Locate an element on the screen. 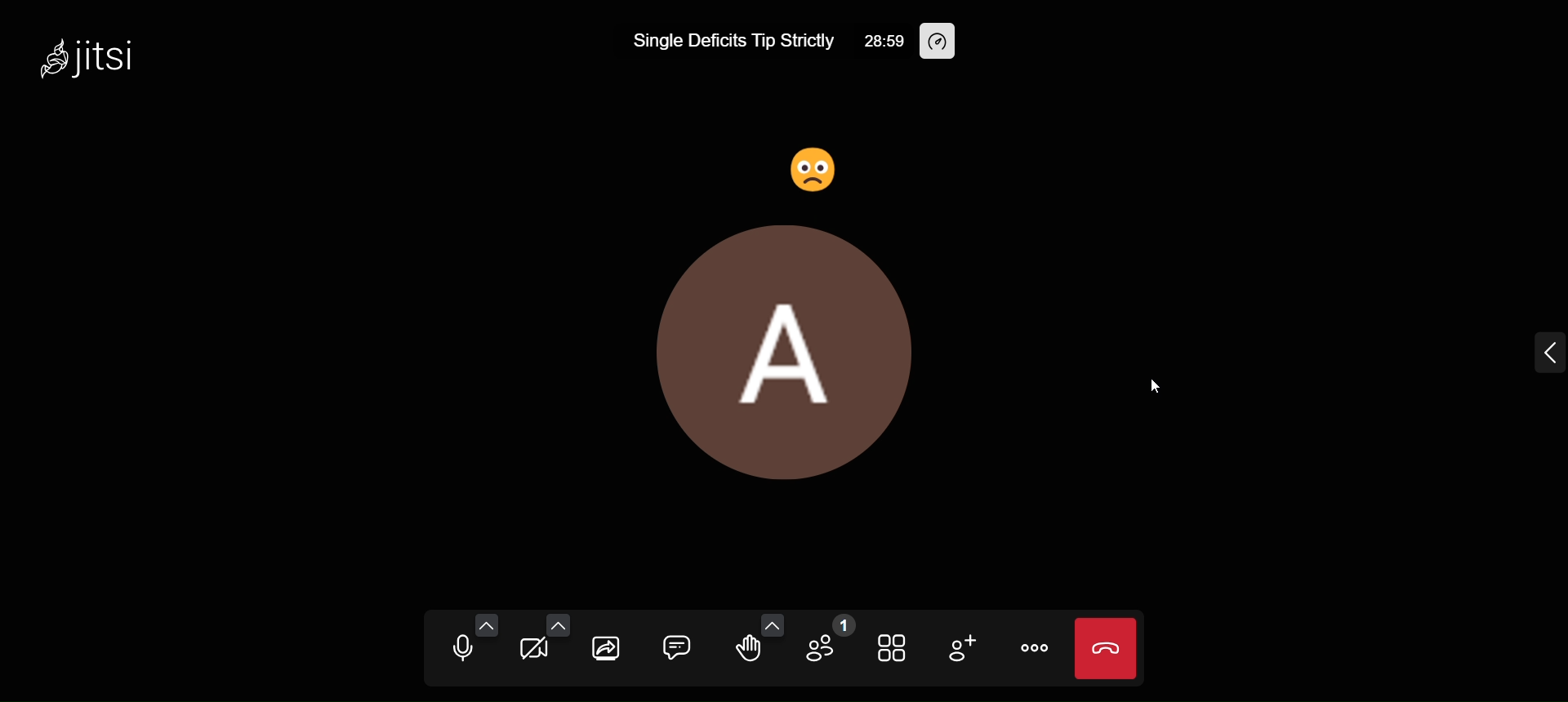 The width and height of the screenshot is (1568, 702). start camera is located at coordinates (531, 653).